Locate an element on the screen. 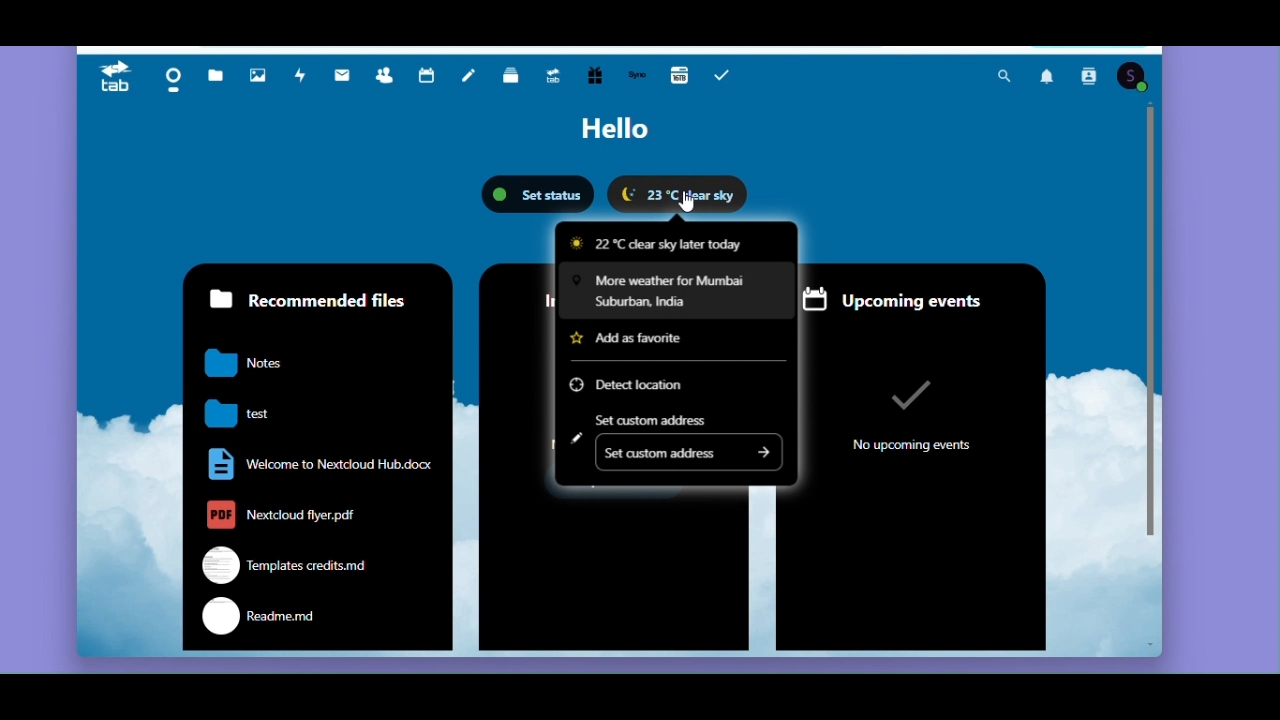 This screenshot has width=1280, height=720. Search is located at coordinates (1001, 75).